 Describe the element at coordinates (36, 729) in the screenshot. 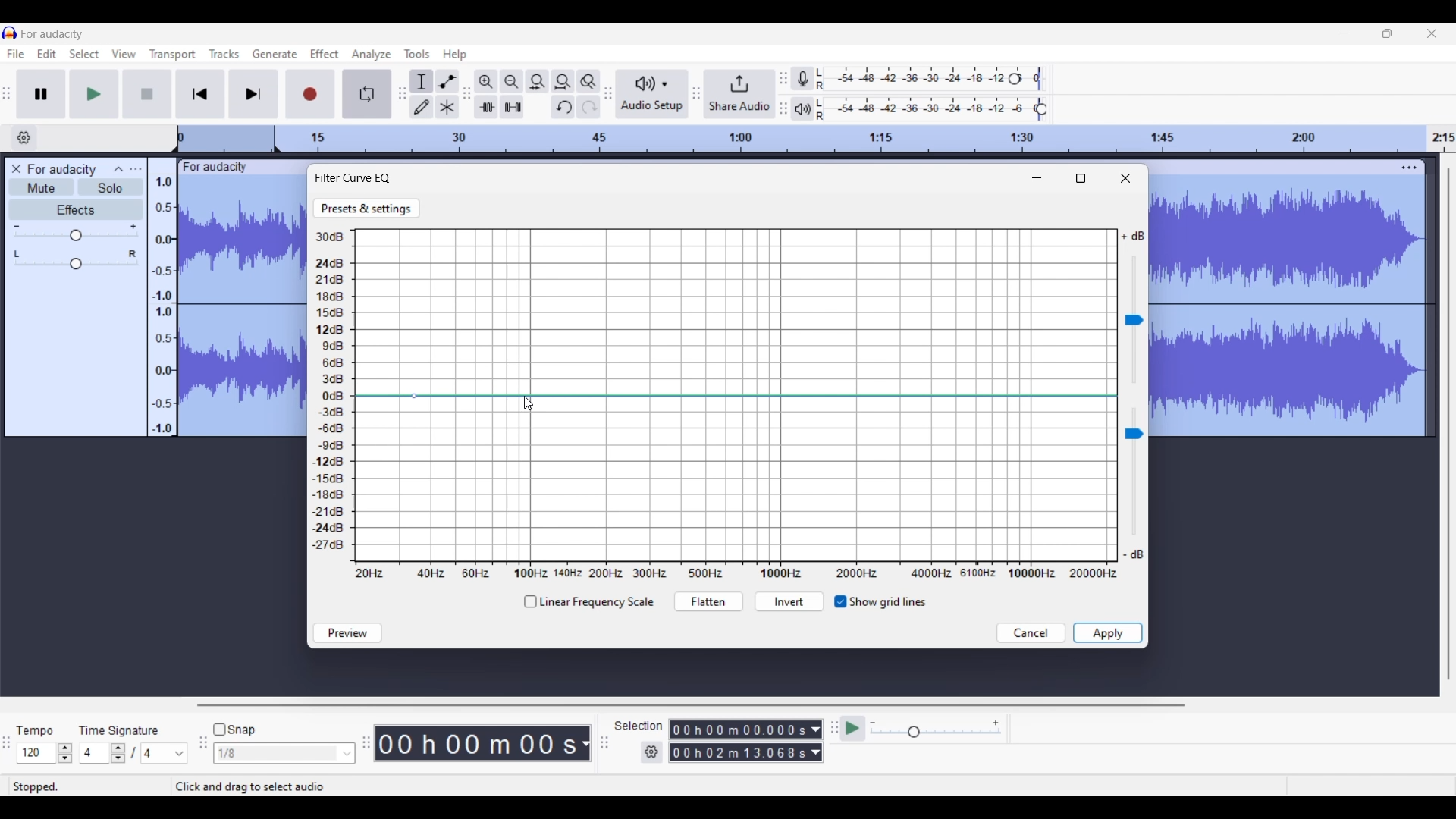

I see `Tempo` at that location.